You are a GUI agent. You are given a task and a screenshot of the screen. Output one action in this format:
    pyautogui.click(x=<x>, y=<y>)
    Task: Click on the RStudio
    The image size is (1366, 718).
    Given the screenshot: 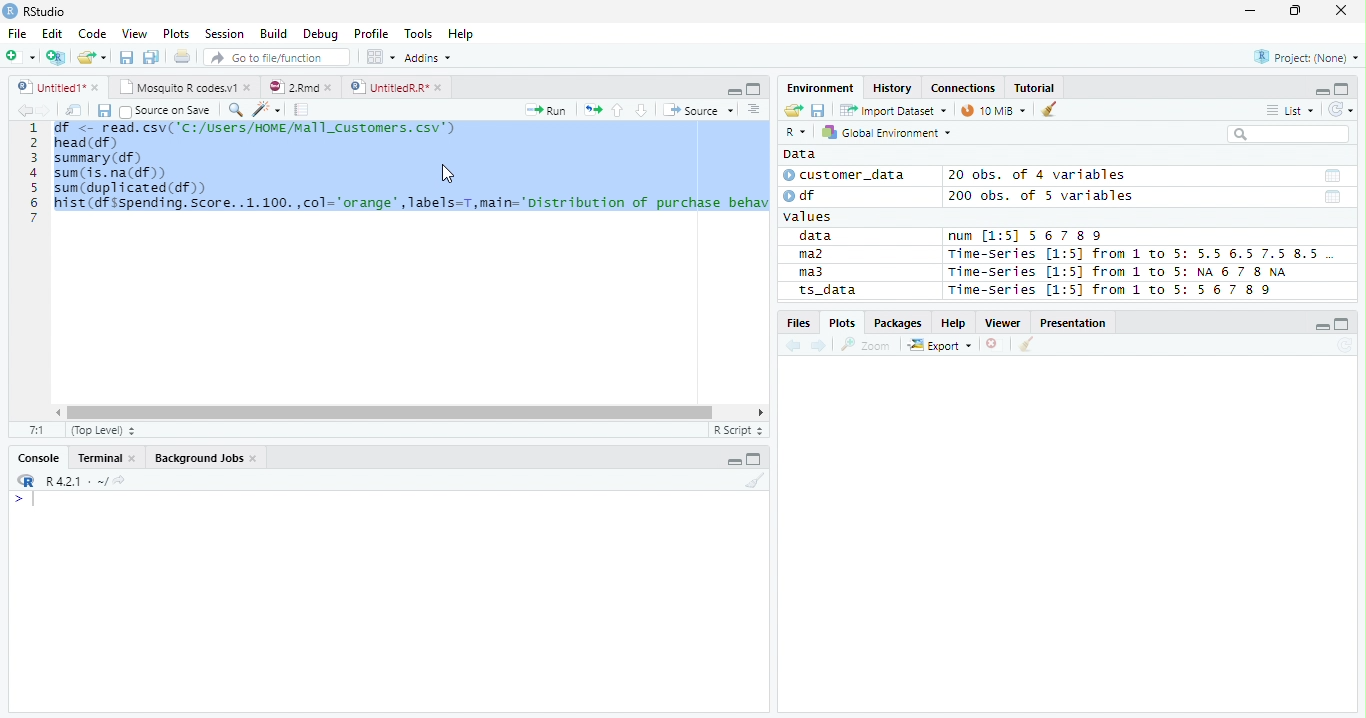 What is the action you would take?
    pyautogui.click(x=35, y=12)
    